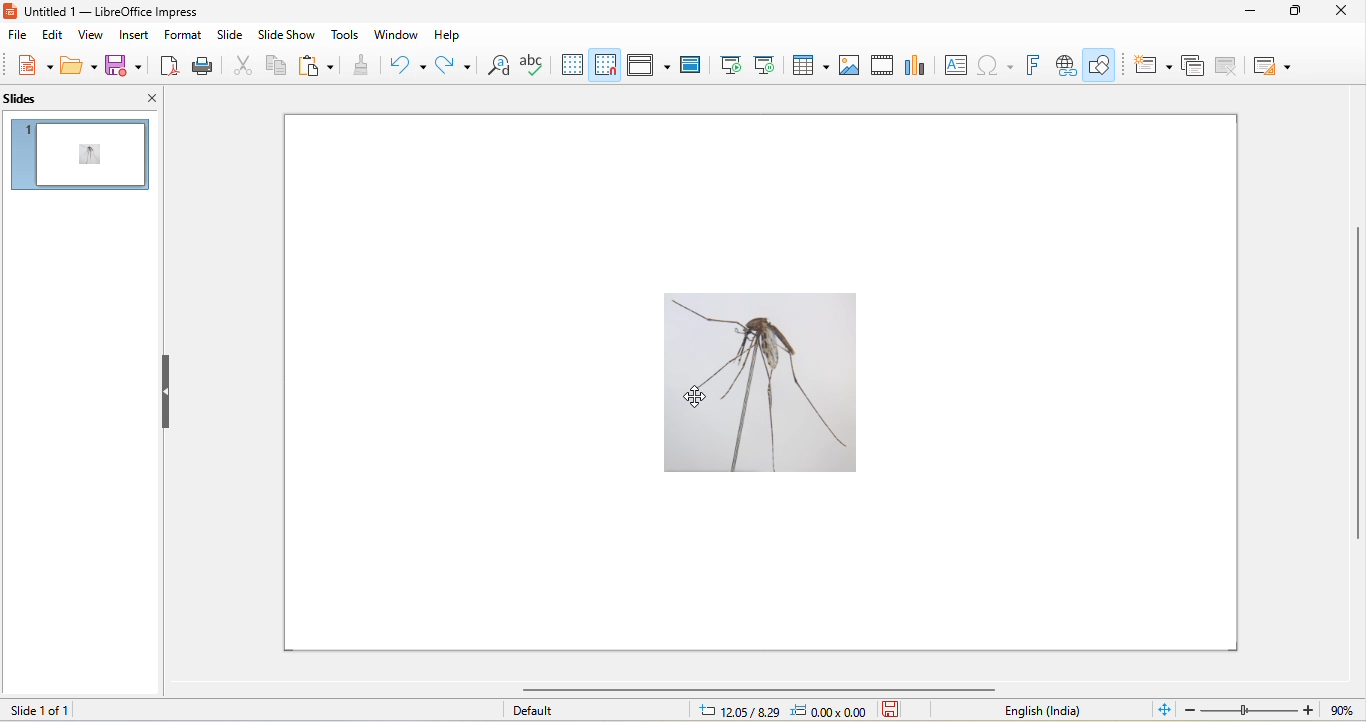  What do you see at coordinates (809, 64) in the screenshot?
I see `table` at bounding box center [809, 64].